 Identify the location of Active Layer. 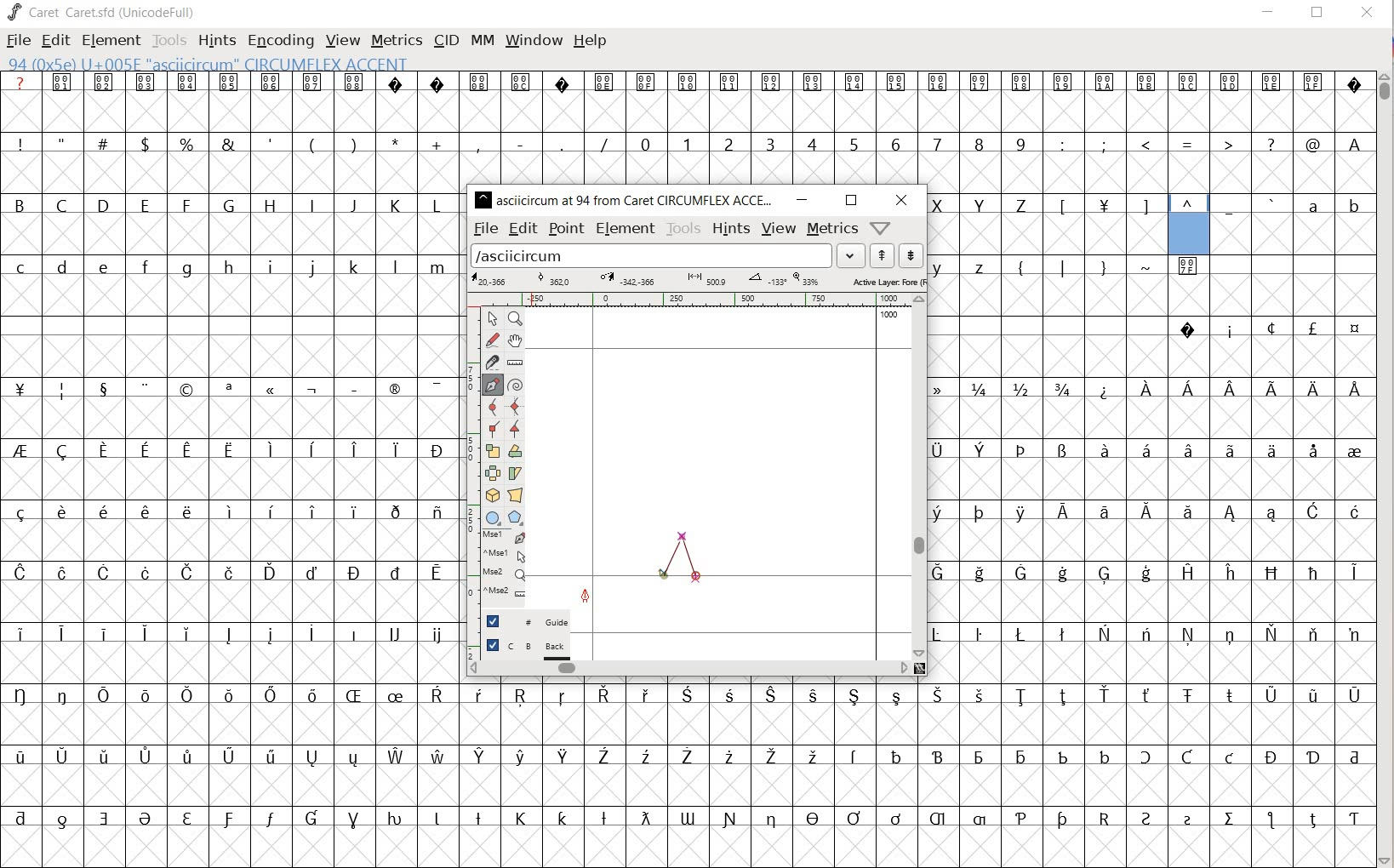
(697, 280).